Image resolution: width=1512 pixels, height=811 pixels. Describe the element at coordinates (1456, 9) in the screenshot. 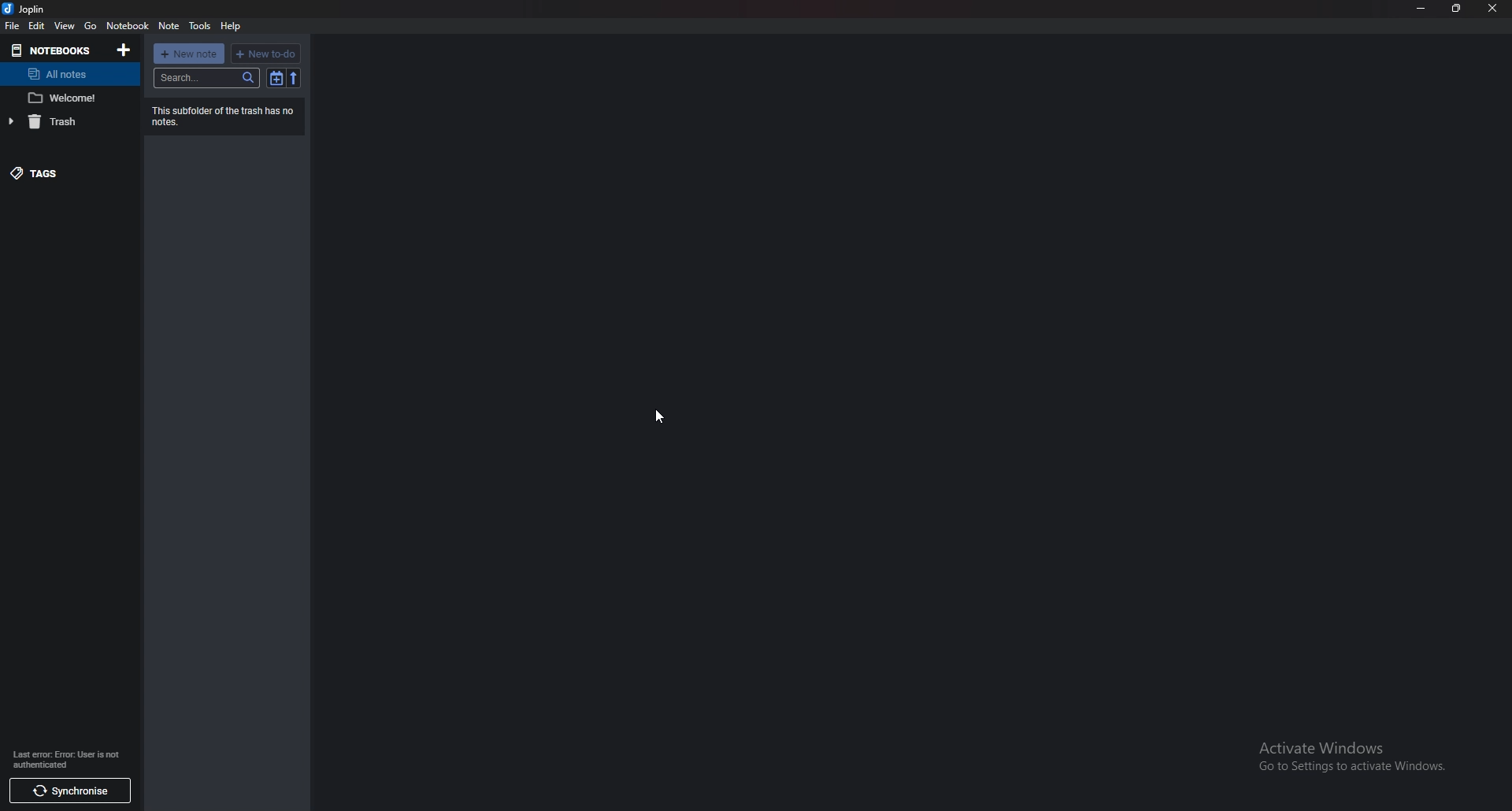

I see `Resize` at that location.